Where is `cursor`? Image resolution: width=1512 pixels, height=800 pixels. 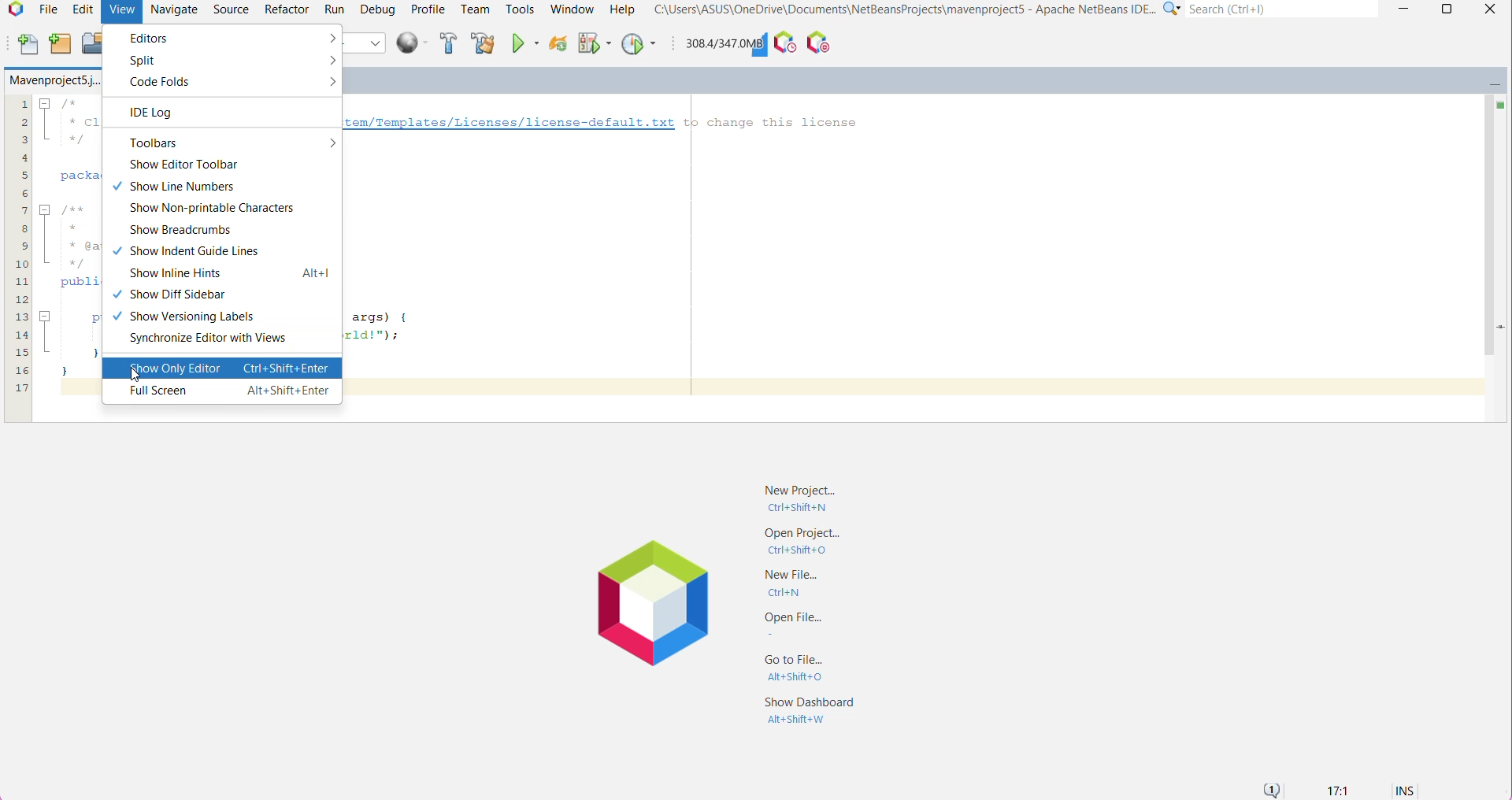
cursor is located at coordinates (136, 374).